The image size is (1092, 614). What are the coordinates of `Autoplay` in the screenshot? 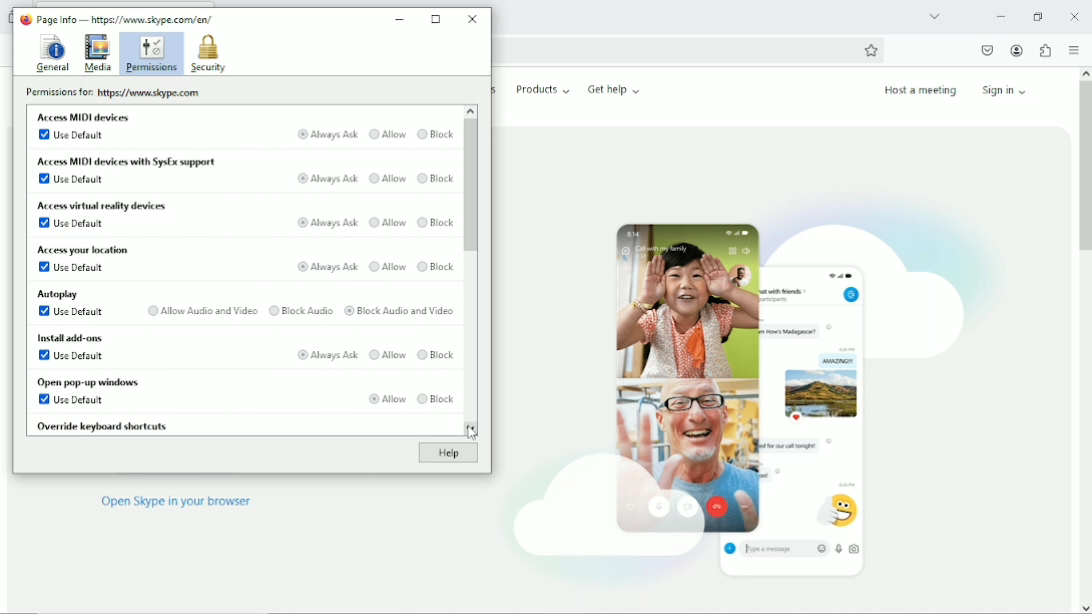 It's located at (57, 293).